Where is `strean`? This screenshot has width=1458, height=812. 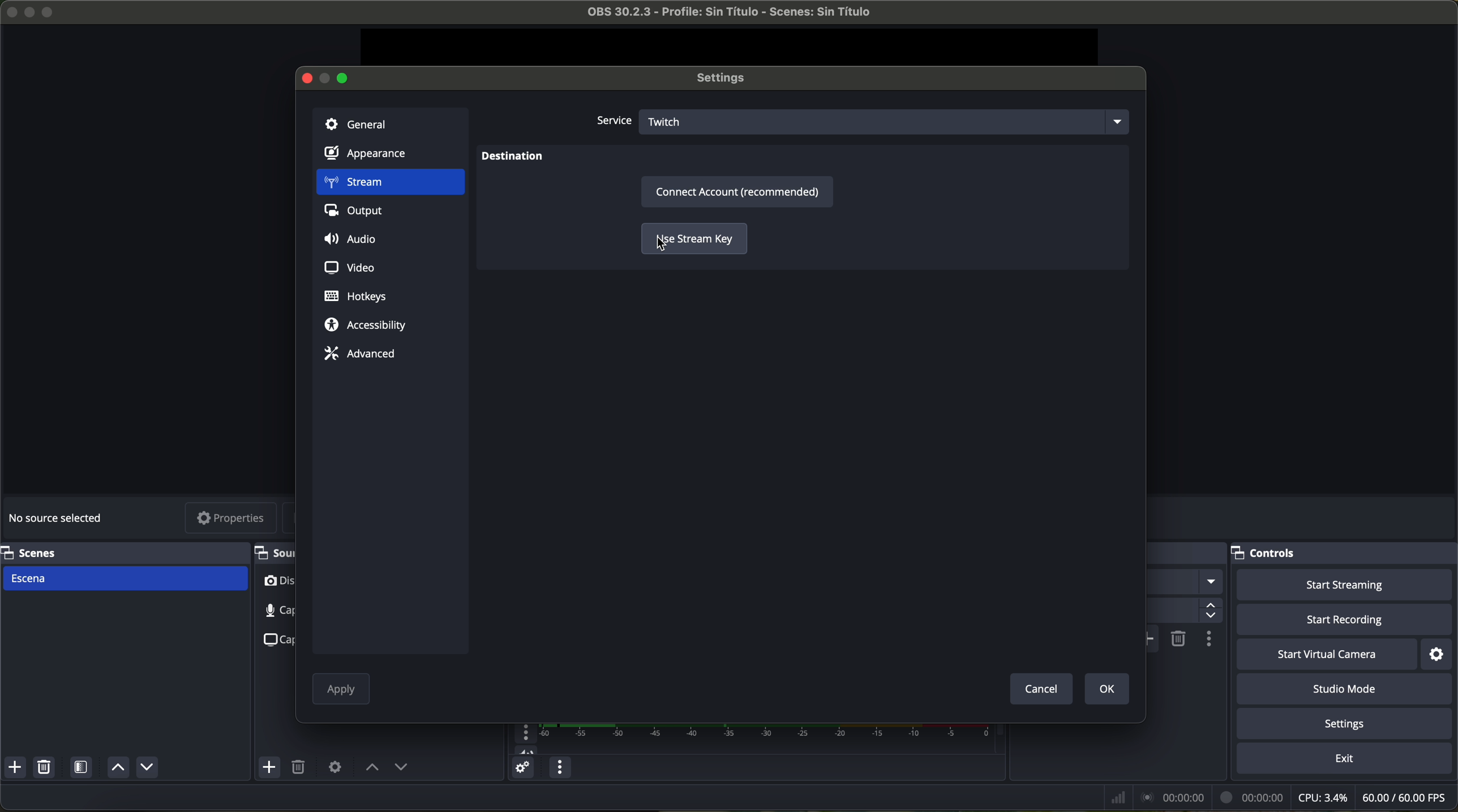
strean is located at coordinates (389, 183).